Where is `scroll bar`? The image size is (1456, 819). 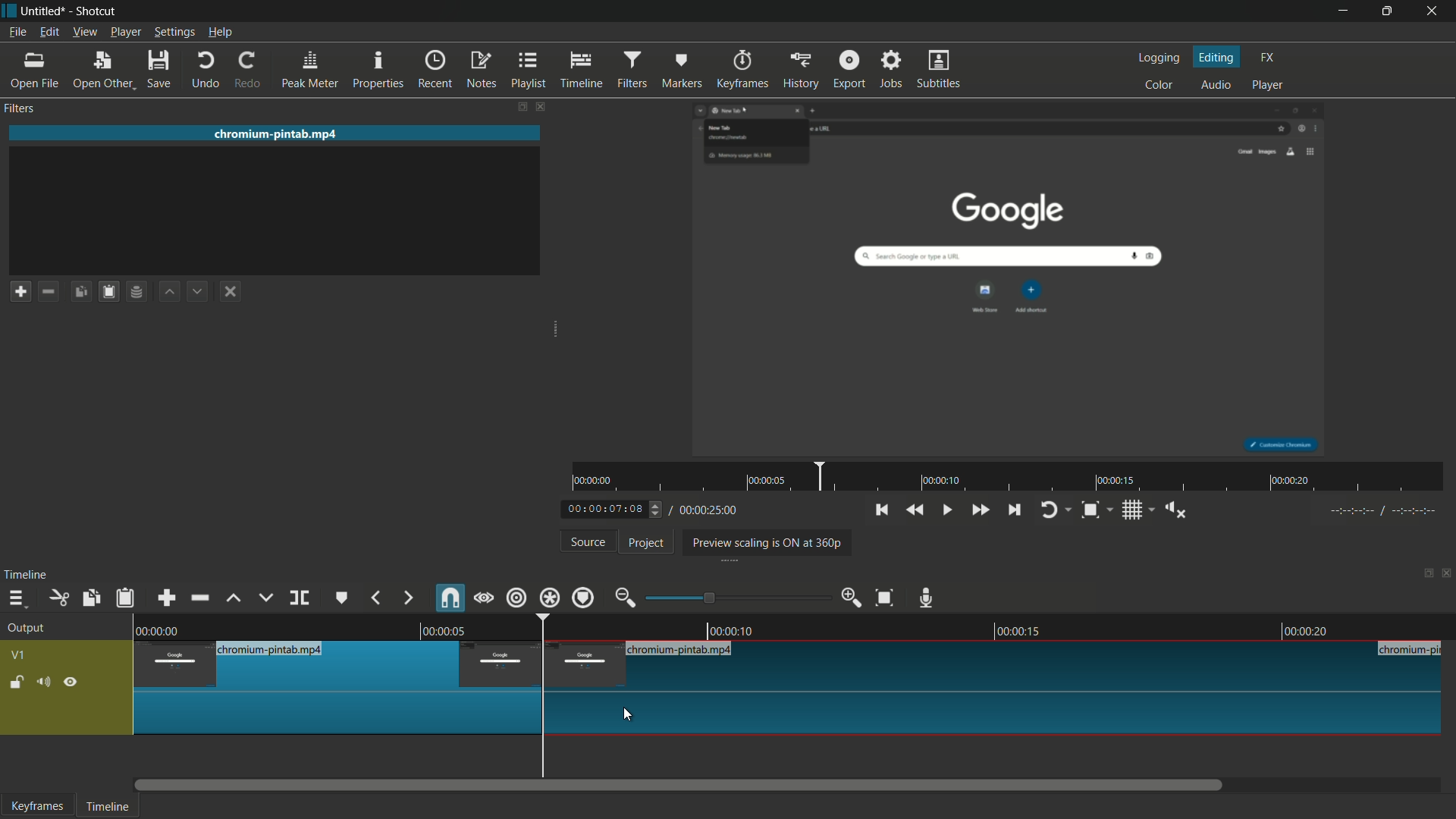
scroll bar is located at coordinates (679, 785).